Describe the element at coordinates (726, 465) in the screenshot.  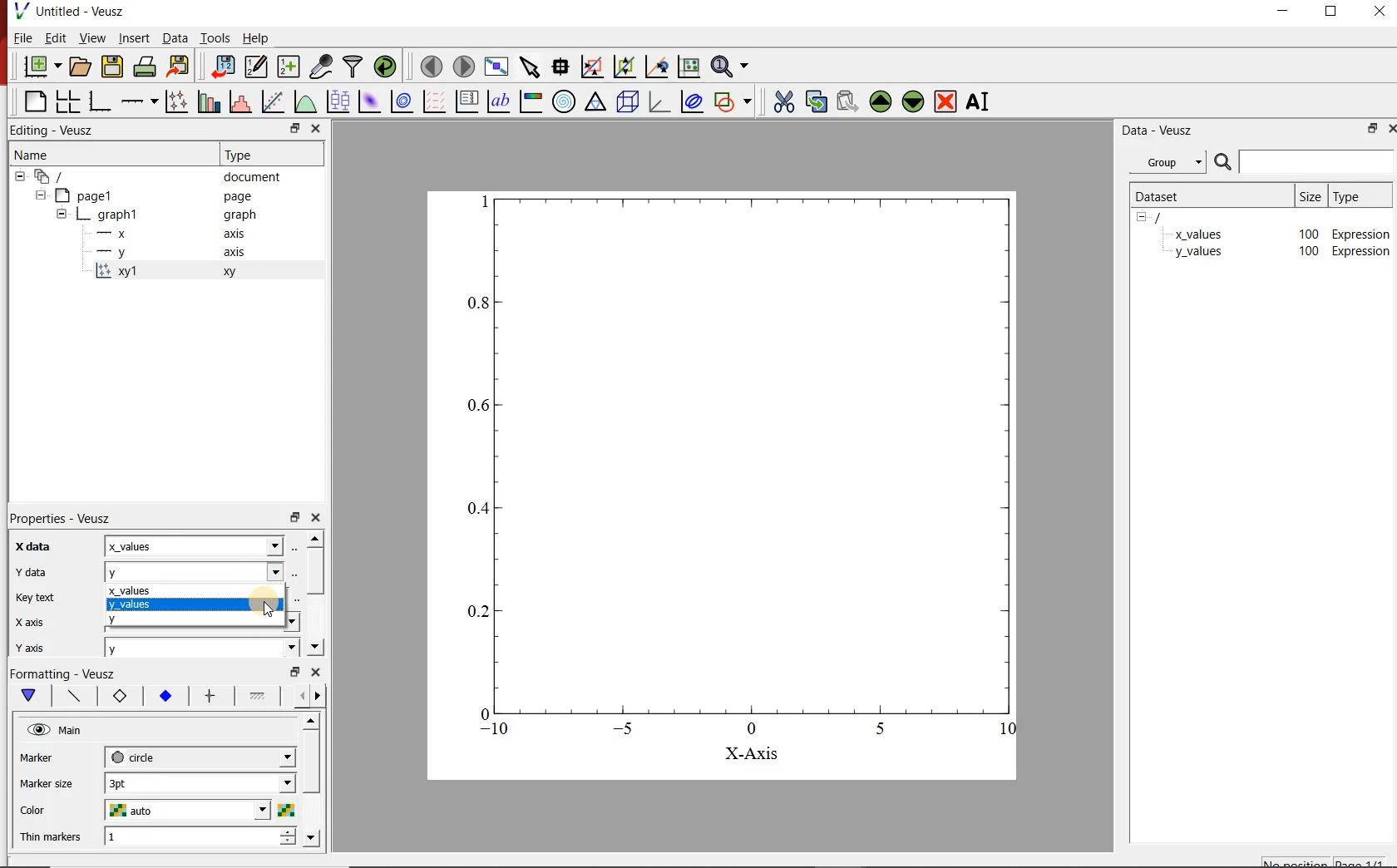
I see `graph` at that location.